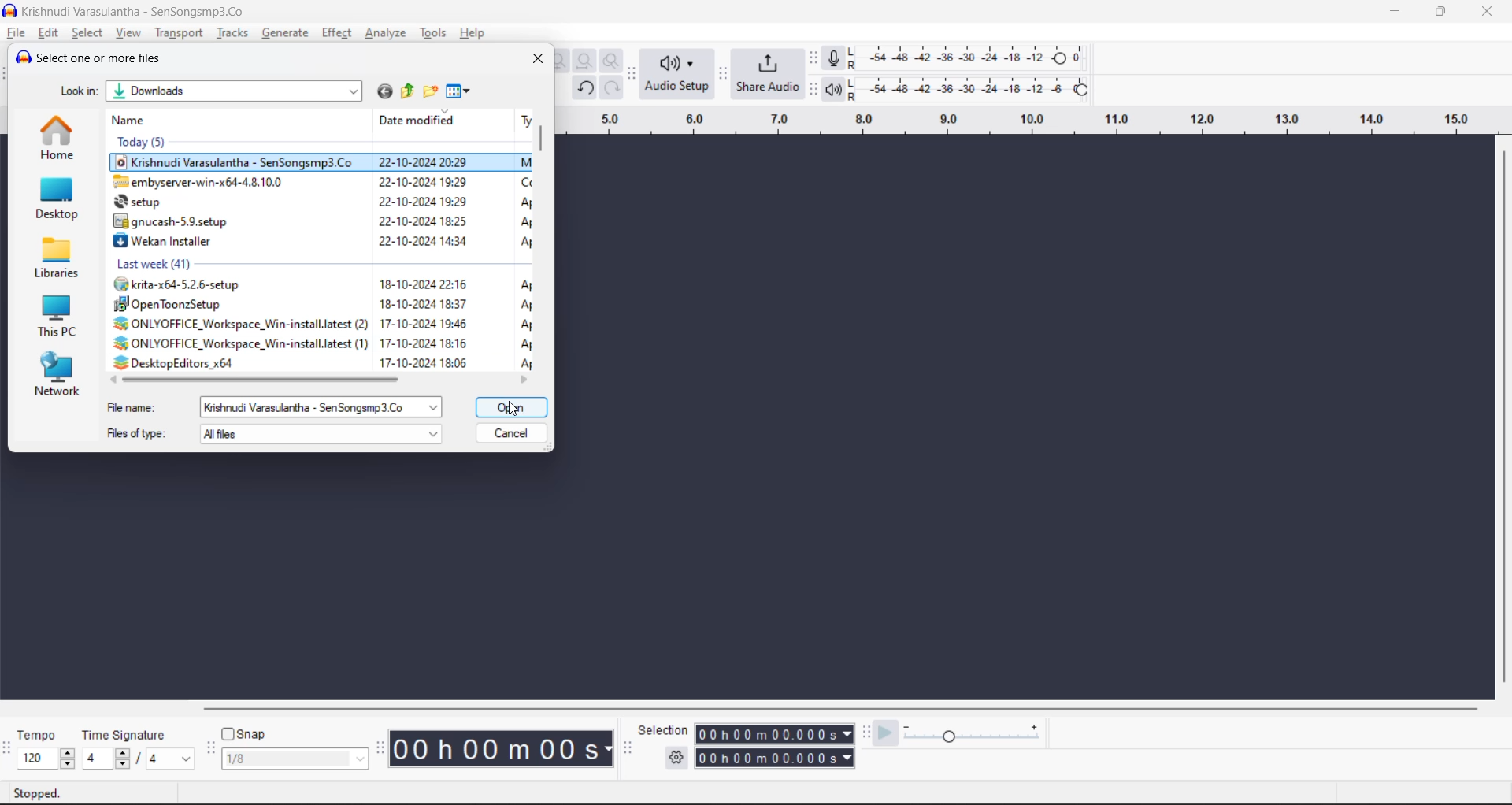 The height and width of the screenshot is (805, 1512). Describe the element at coordinates (285, 34) in the screenshot. I see `generate` at that location.